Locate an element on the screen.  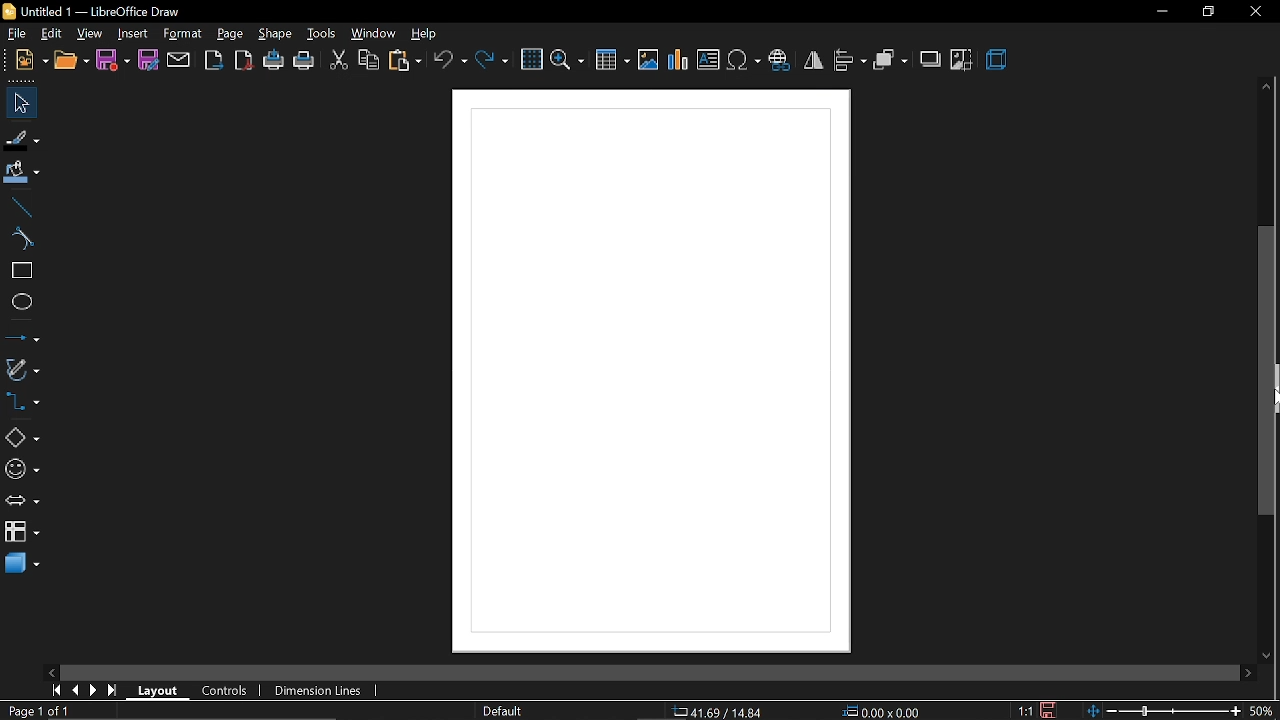
edit is located at coordinates (50, 34).